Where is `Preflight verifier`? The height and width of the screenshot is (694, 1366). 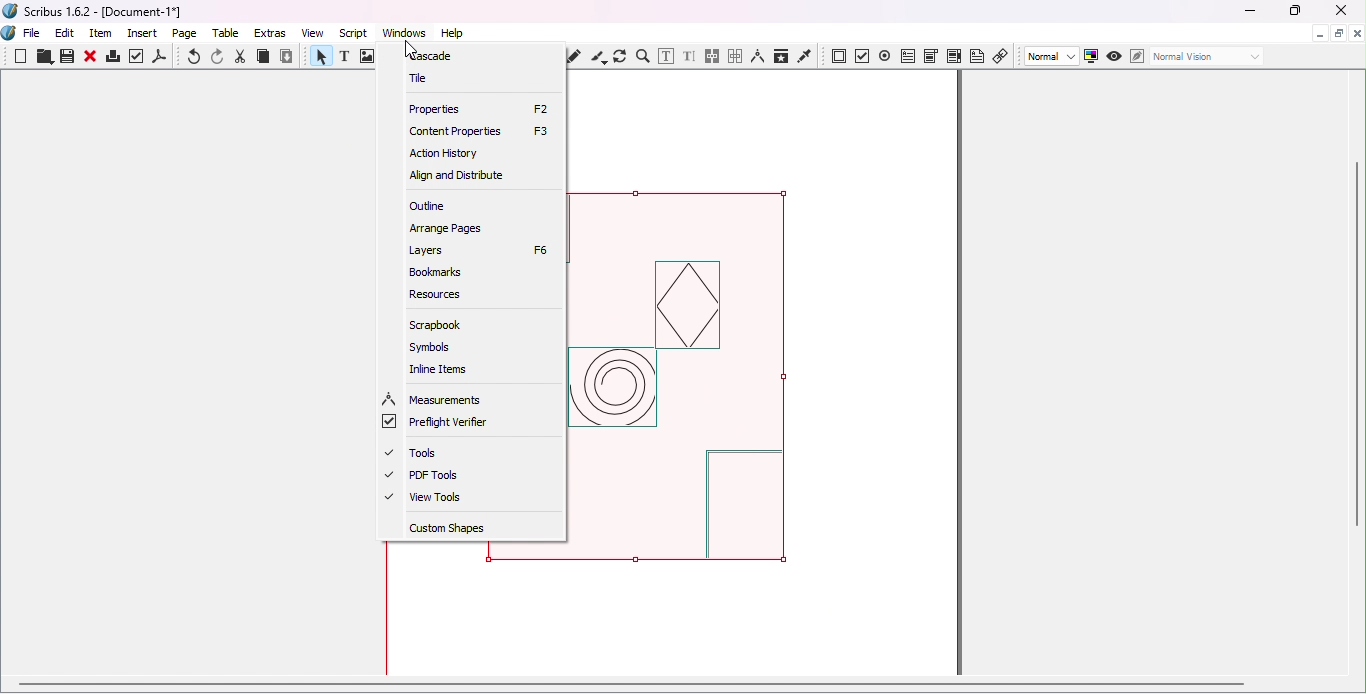 Preflight verifier is located at coordinates (137, 59).